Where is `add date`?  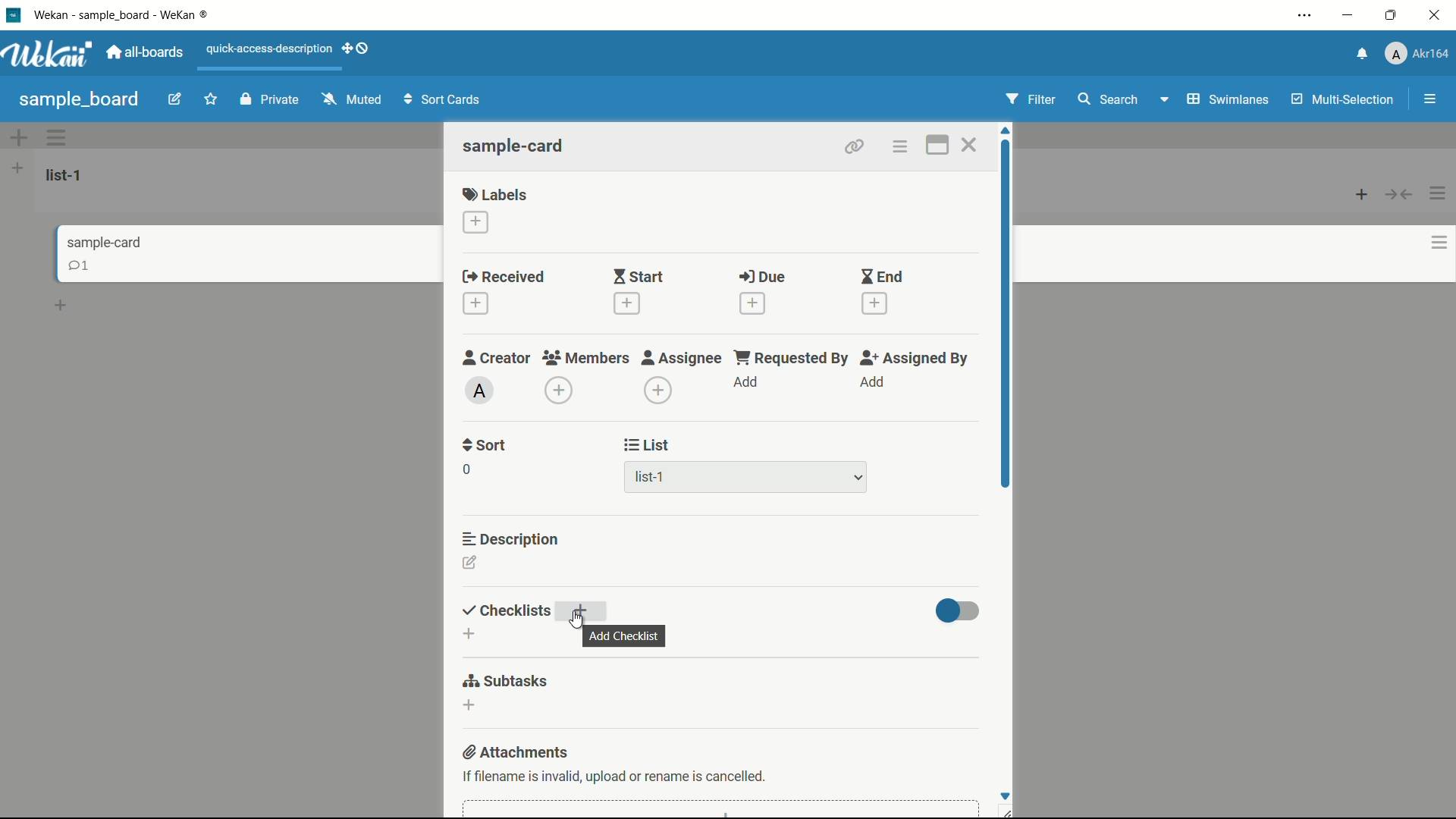 add date is located at coordinates (874, 303).